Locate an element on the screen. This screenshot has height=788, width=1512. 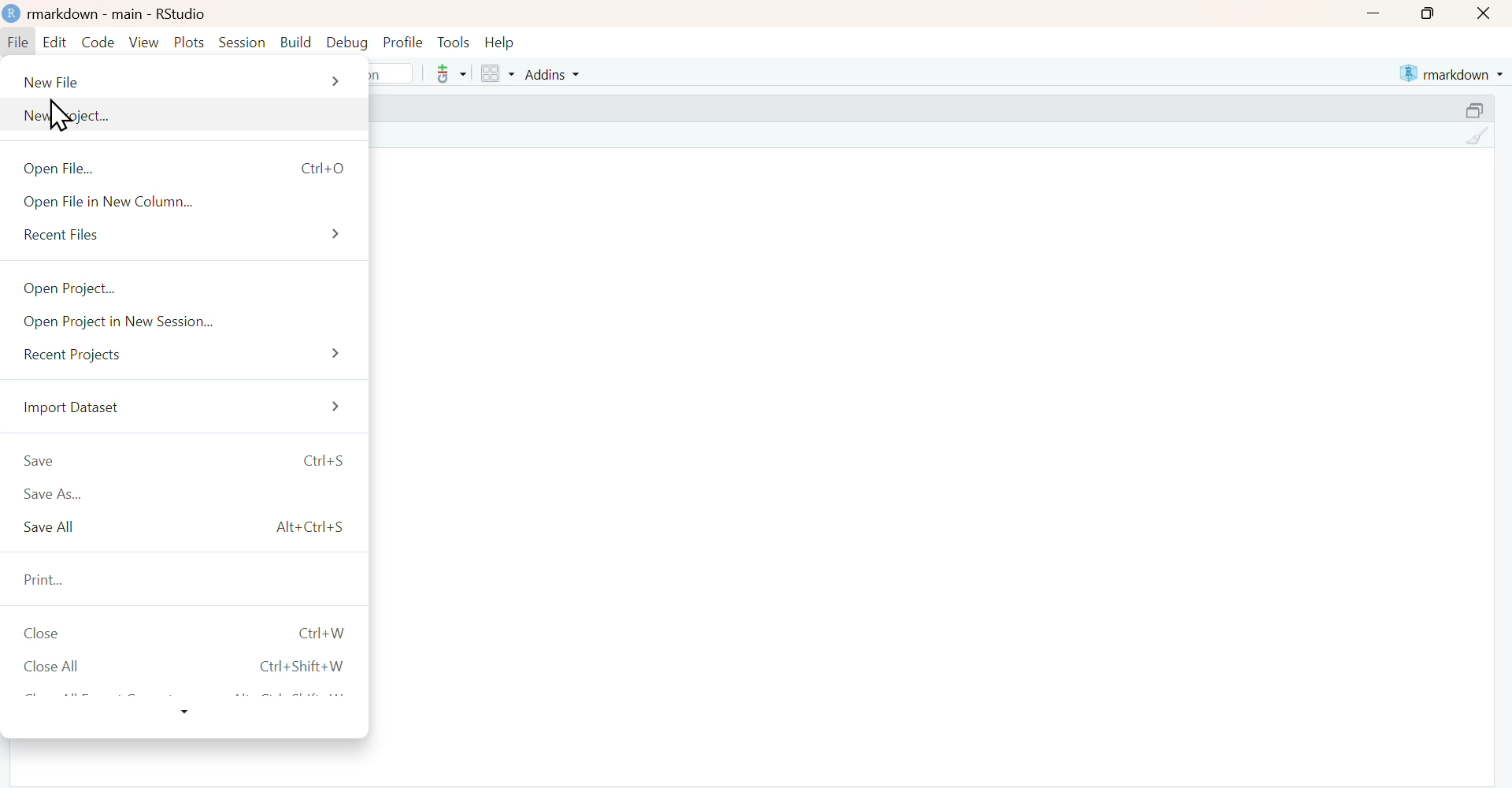
Addins is located at coordinates (550, 73).